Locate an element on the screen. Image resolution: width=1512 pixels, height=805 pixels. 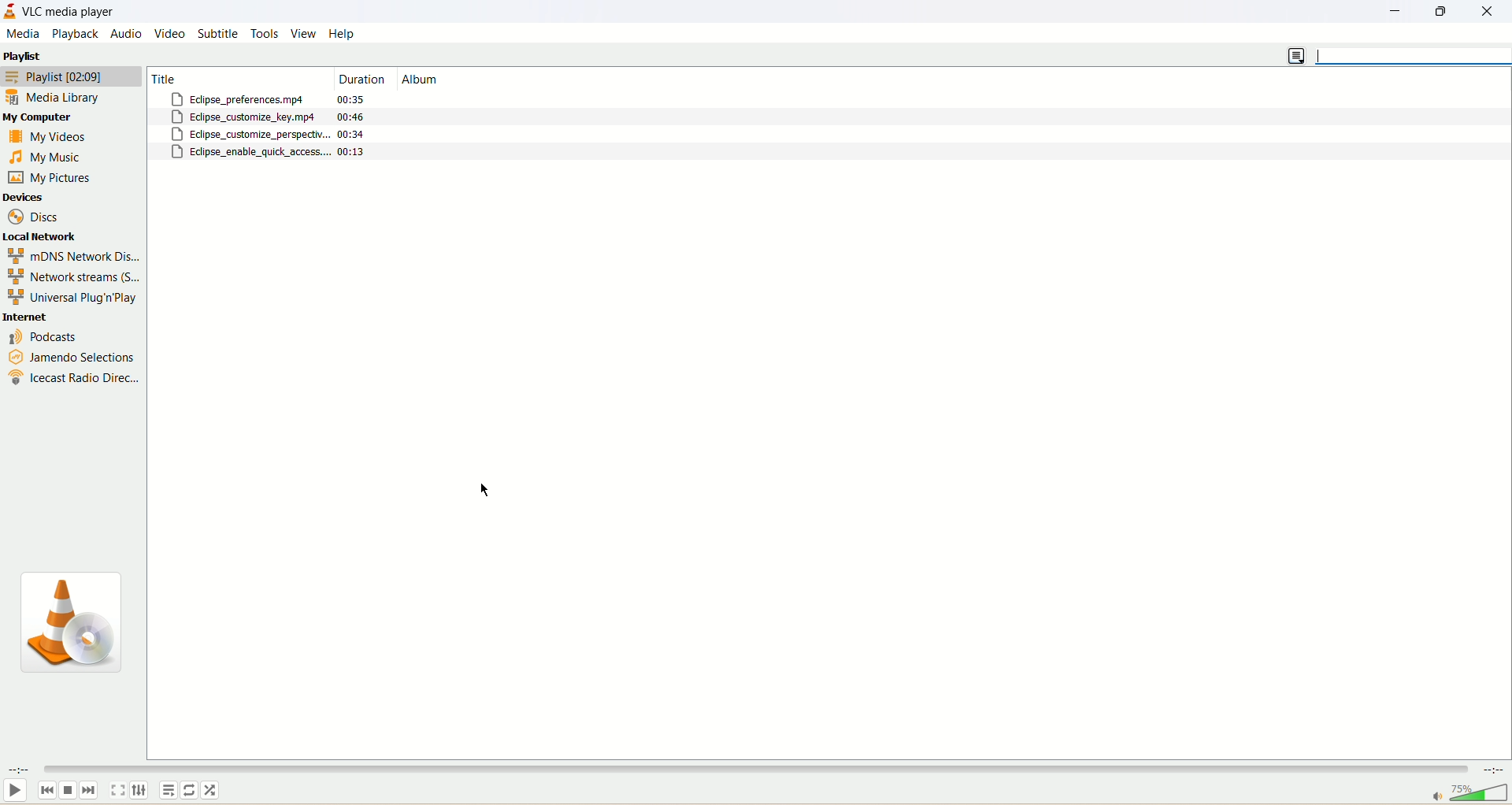
seek bar is located at coordinates (757, 769).